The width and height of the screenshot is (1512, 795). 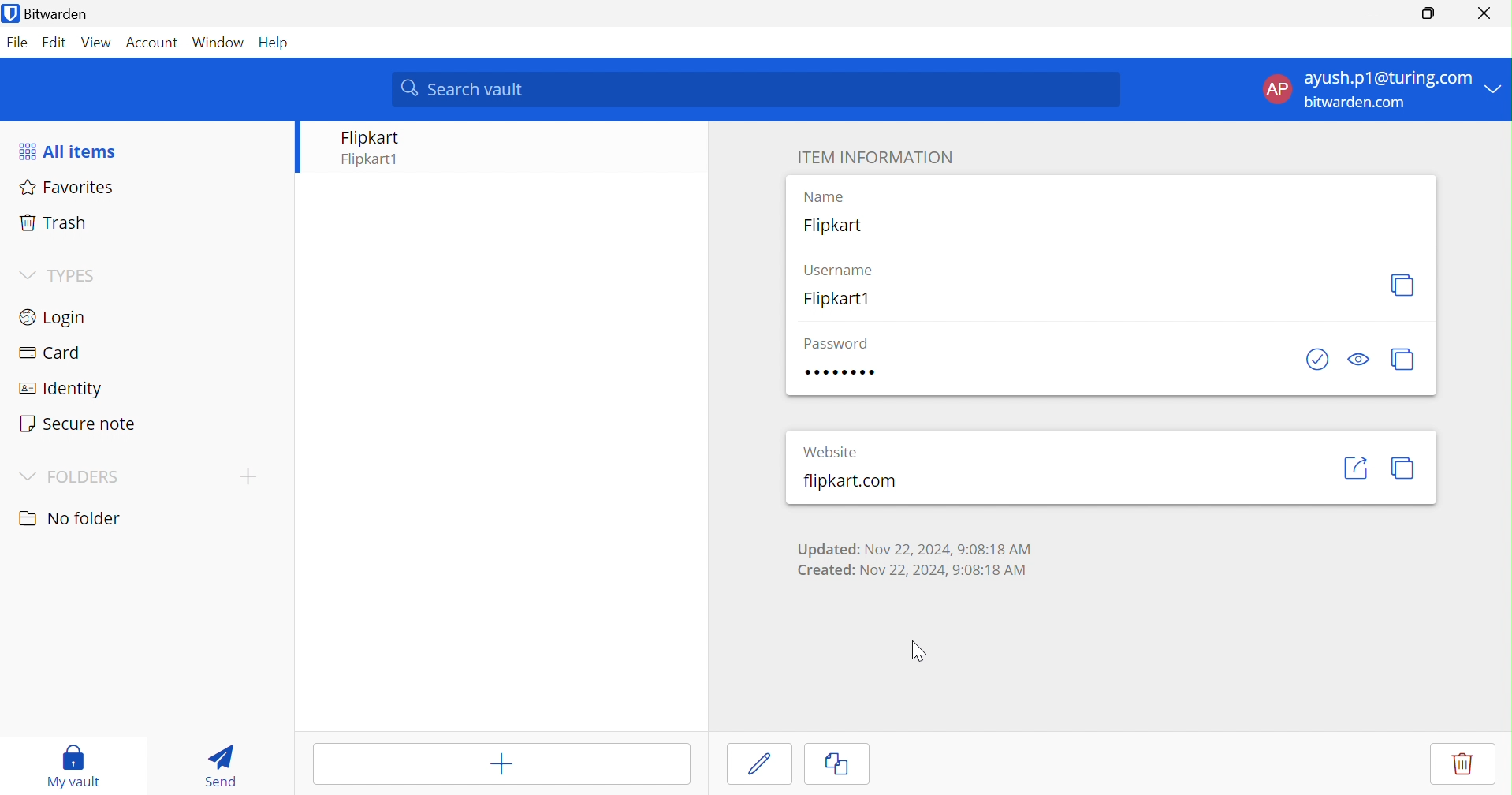 I want to click on Drop Down, so click(x=1496, y=88).